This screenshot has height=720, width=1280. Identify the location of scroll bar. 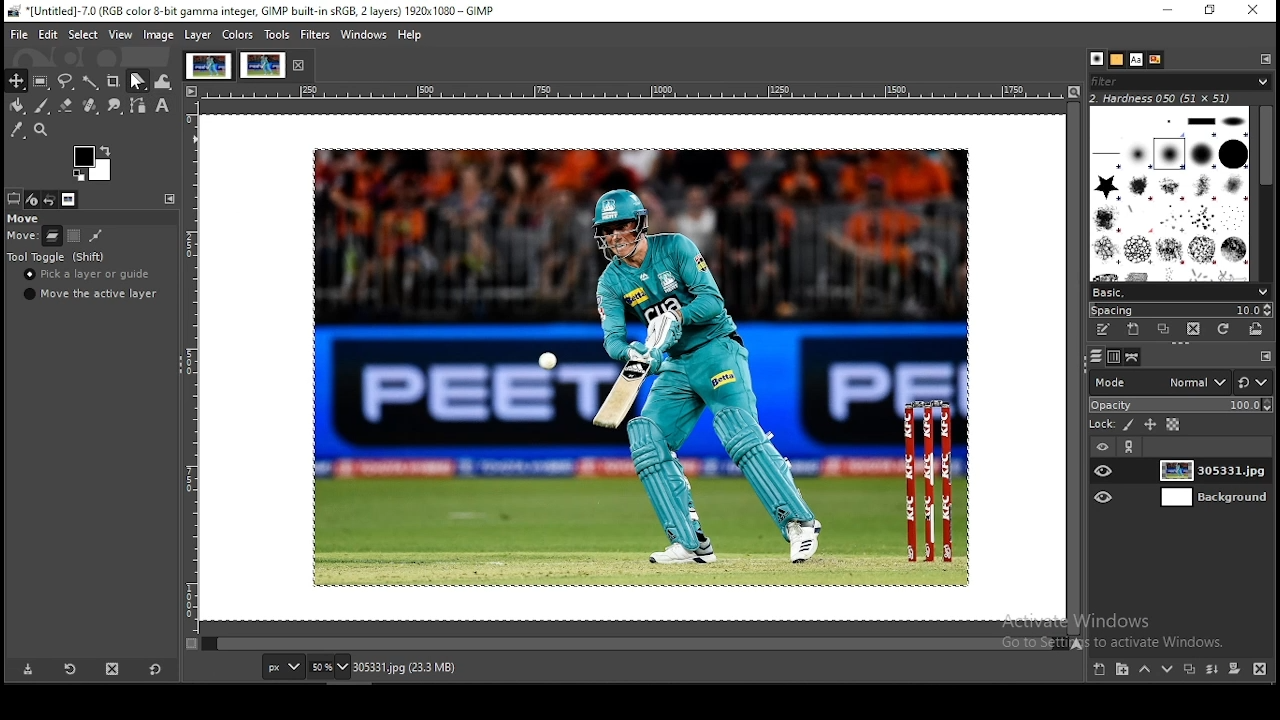
(1265, 191).